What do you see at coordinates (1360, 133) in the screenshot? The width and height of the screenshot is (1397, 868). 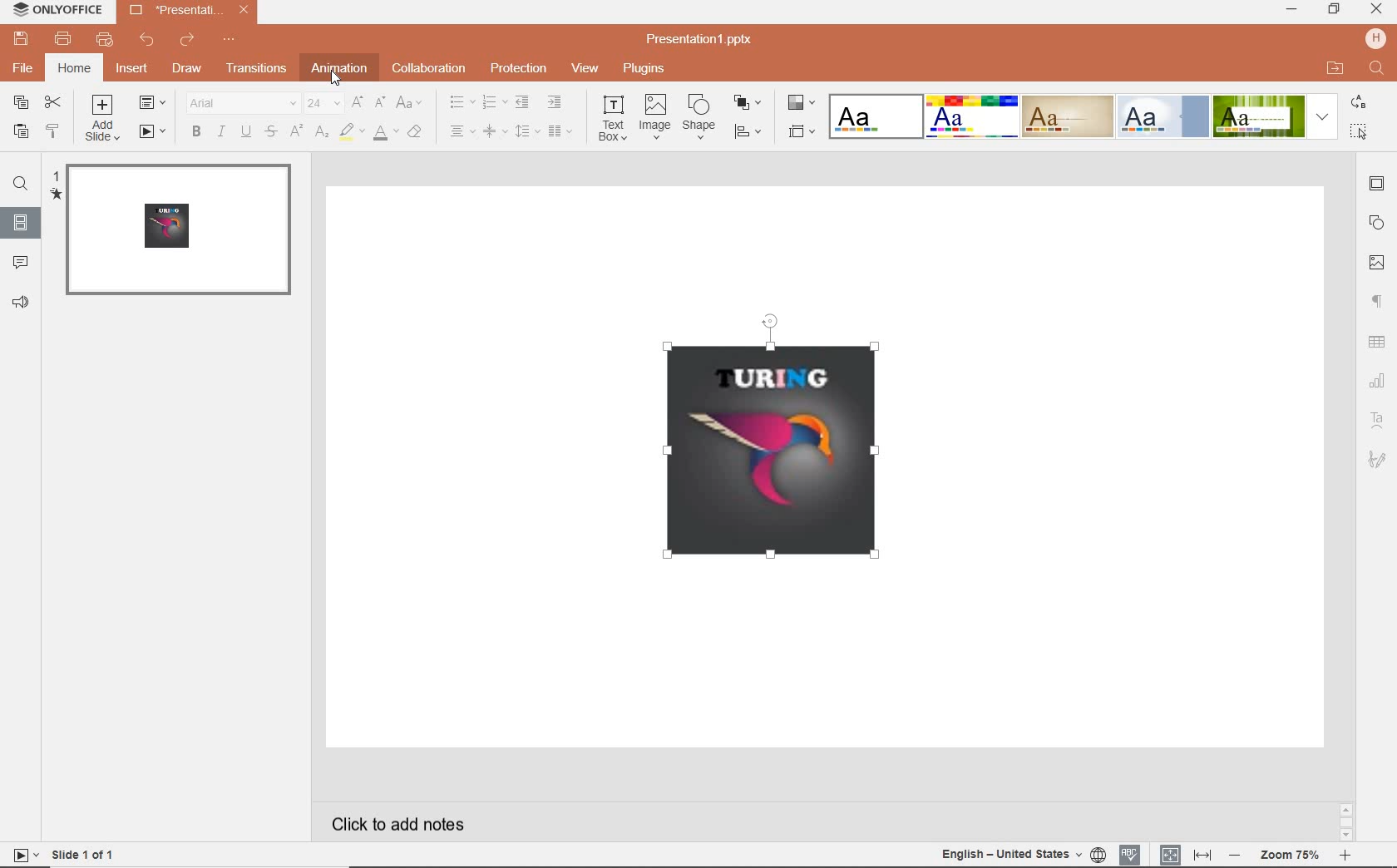 I see `select all` at bounding box center [1360, 133].